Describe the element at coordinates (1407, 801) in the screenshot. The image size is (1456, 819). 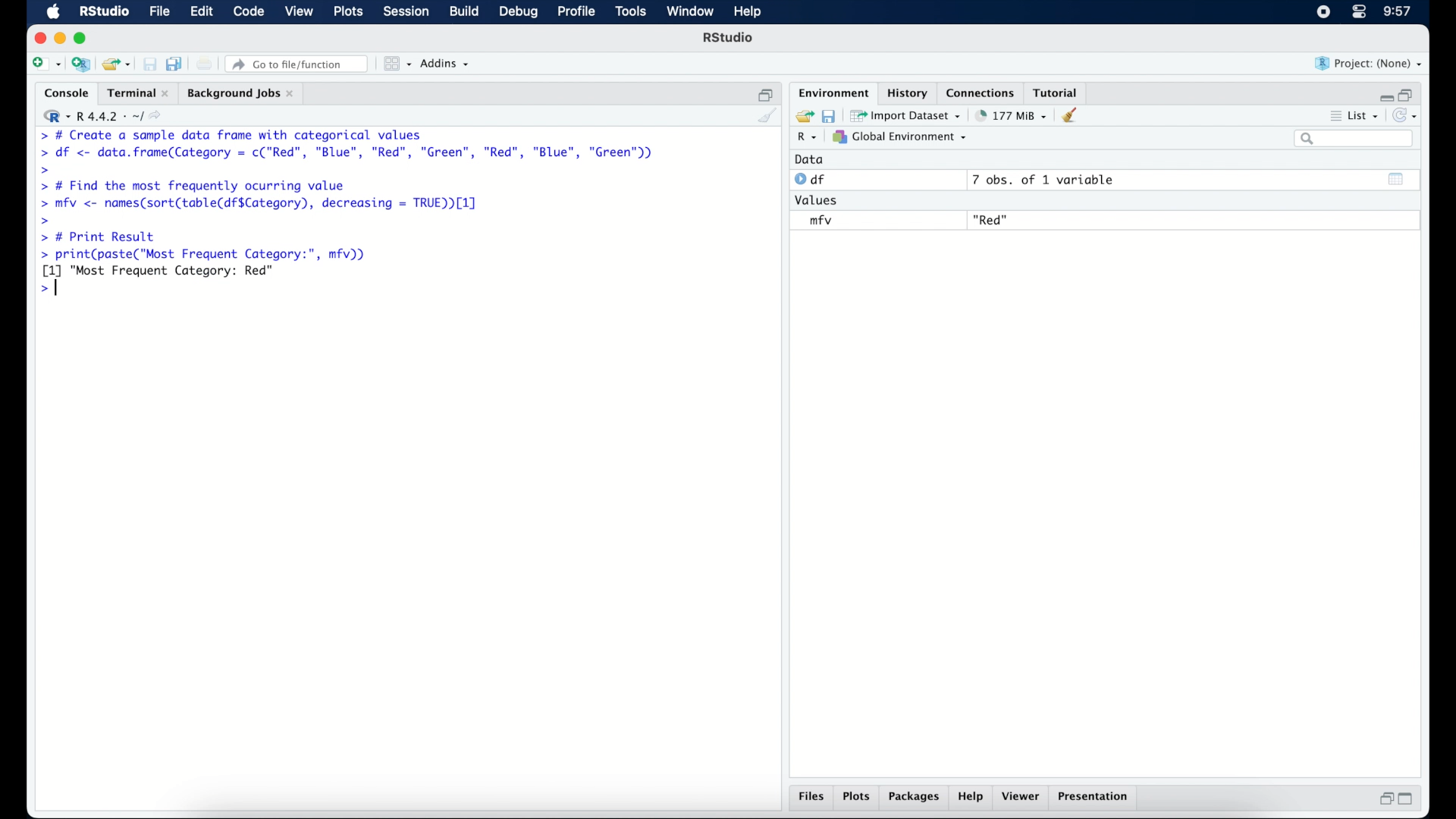
I see `maximize` at that location.